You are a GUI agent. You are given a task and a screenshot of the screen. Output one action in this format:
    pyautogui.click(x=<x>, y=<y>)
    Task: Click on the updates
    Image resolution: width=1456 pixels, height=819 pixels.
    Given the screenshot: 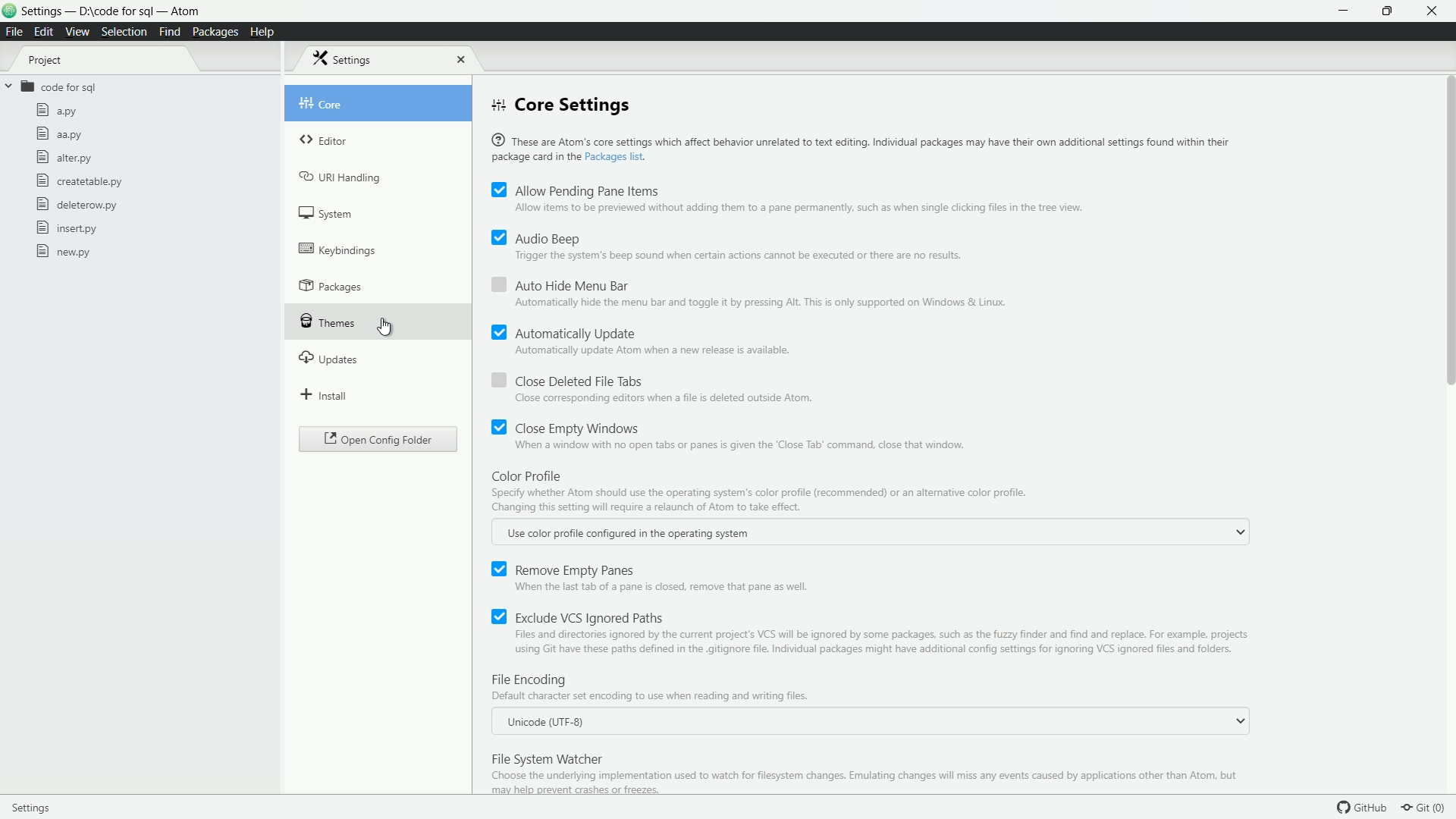 What is the action you would take?
    pyautogui.click(x=329, y=356)
    